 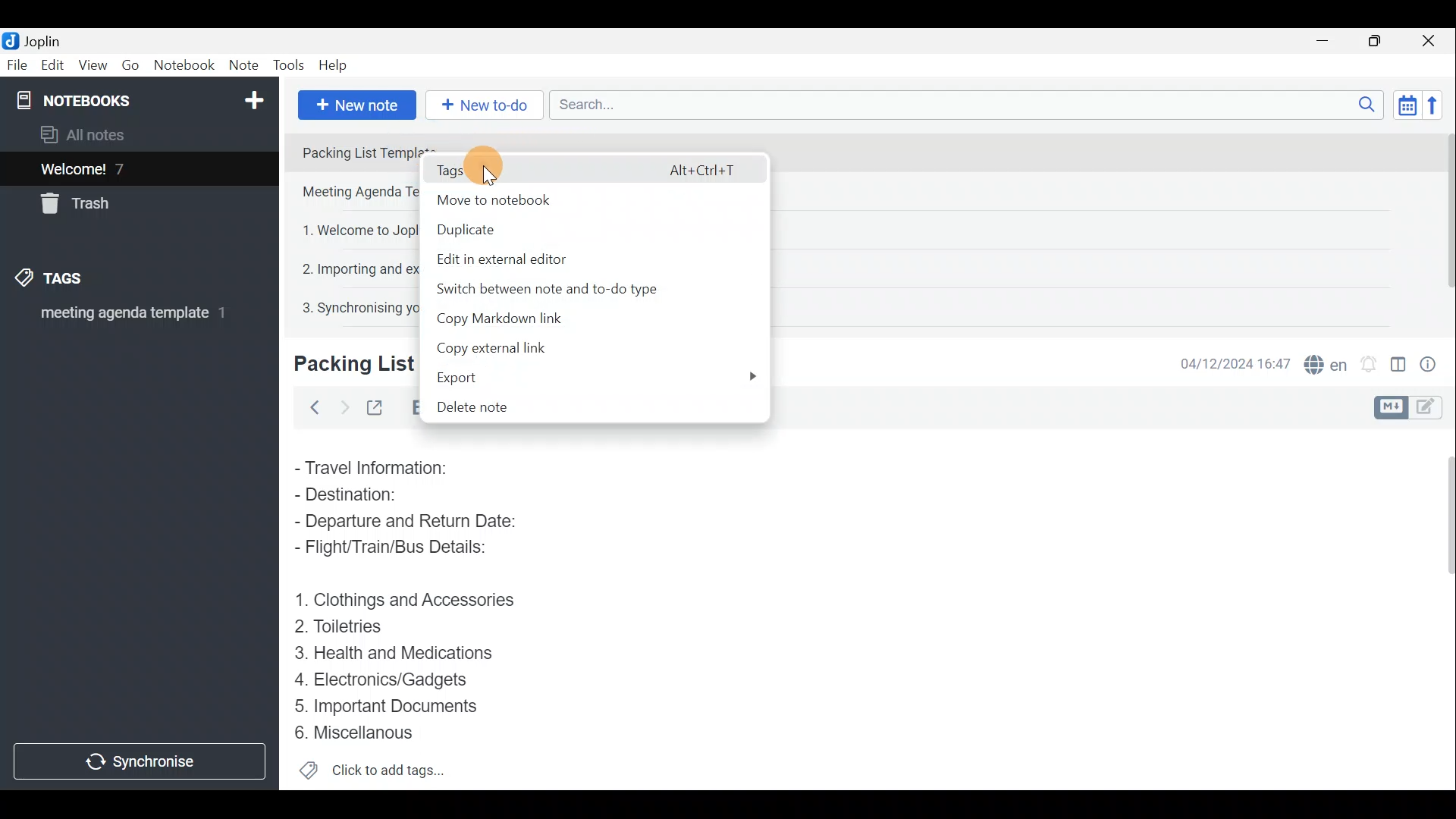 What do you see at coordinates (340, 306) in the screenshot?
I see `Note 5` at bounding box center [340, 306].